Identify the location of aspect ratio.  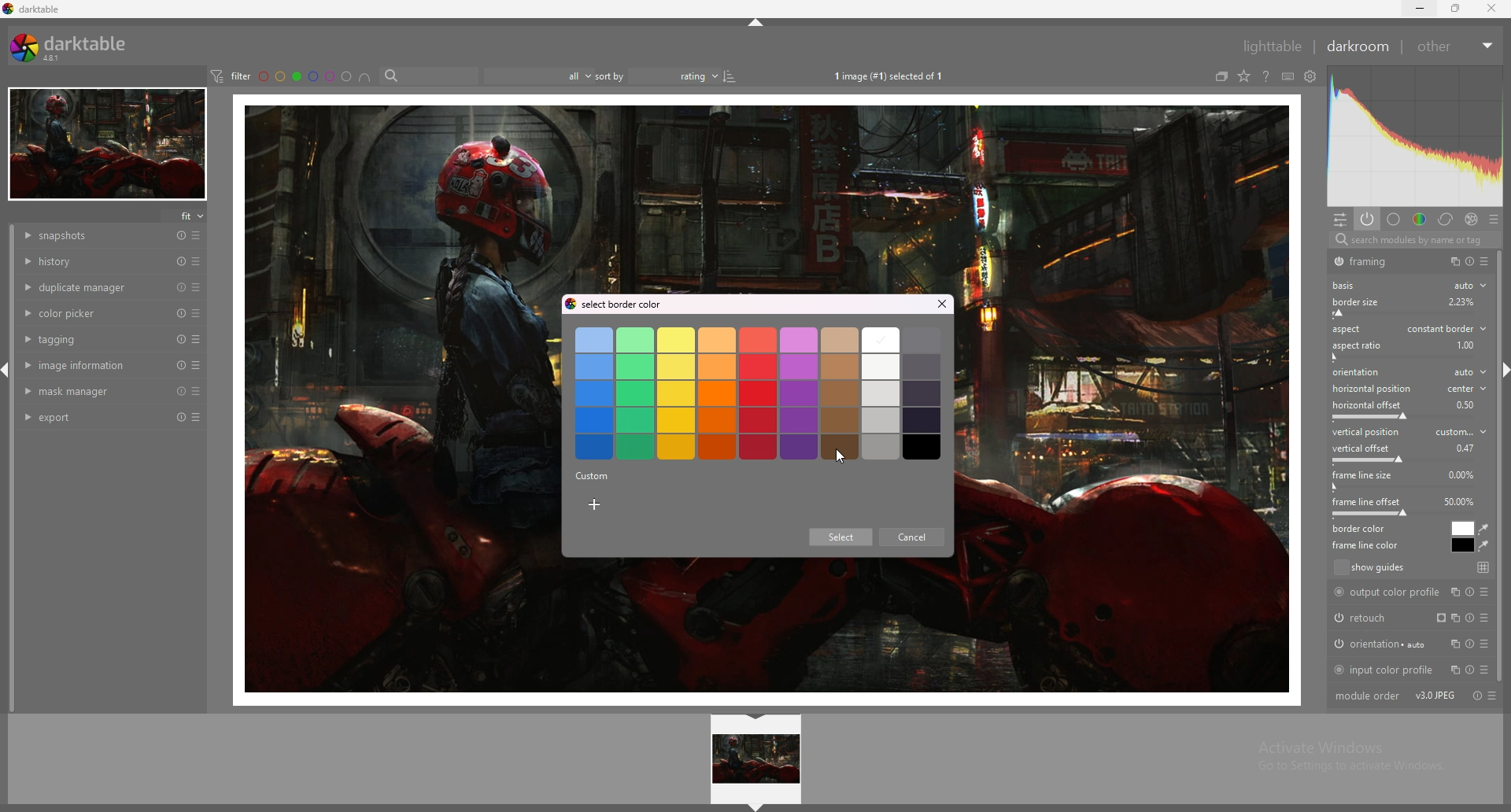
(1356, 346).